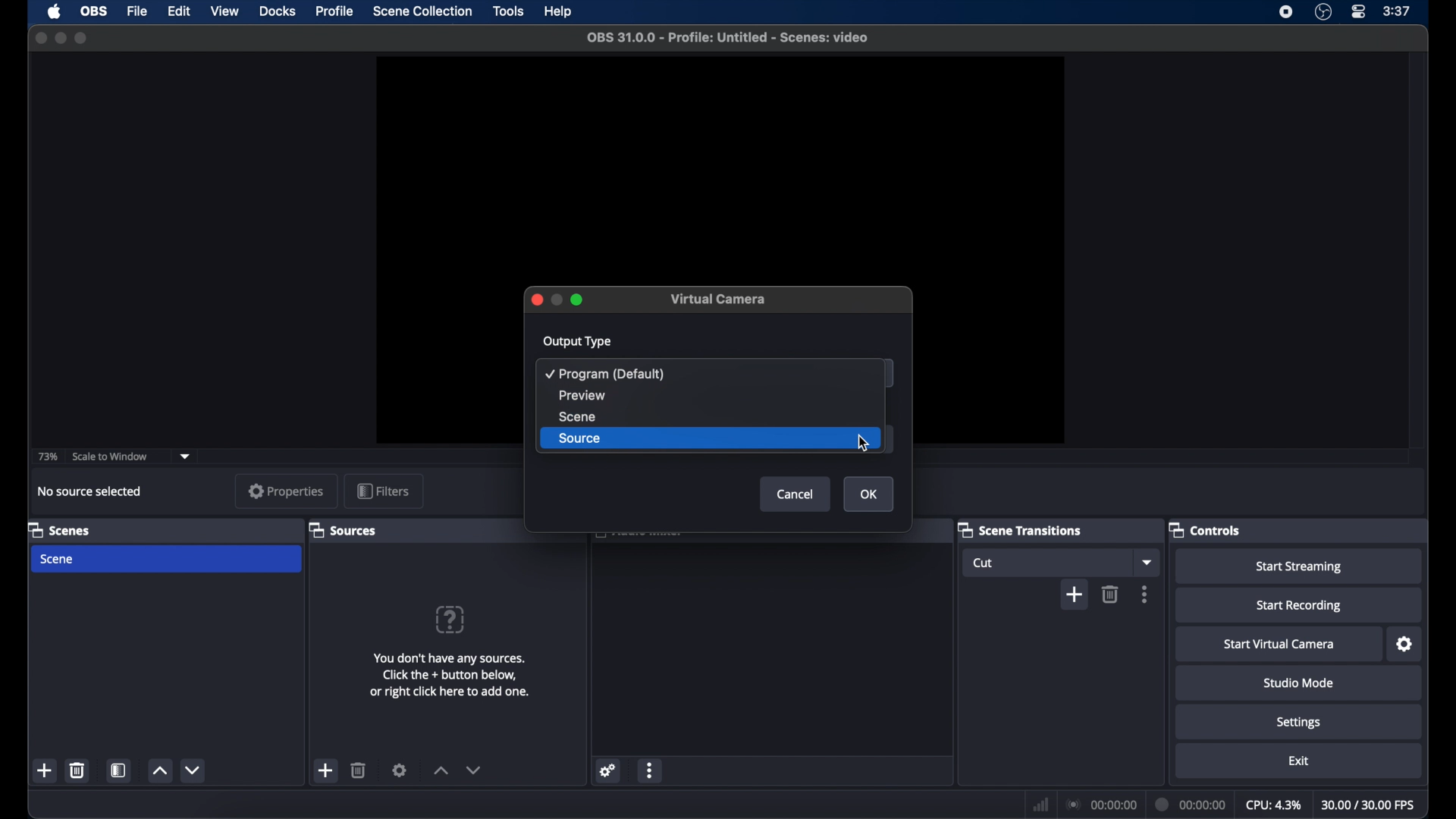  What do you see at coordinates (94, 491) in the screenshot?
I see `no source selected` at bounding box center [94, 491].